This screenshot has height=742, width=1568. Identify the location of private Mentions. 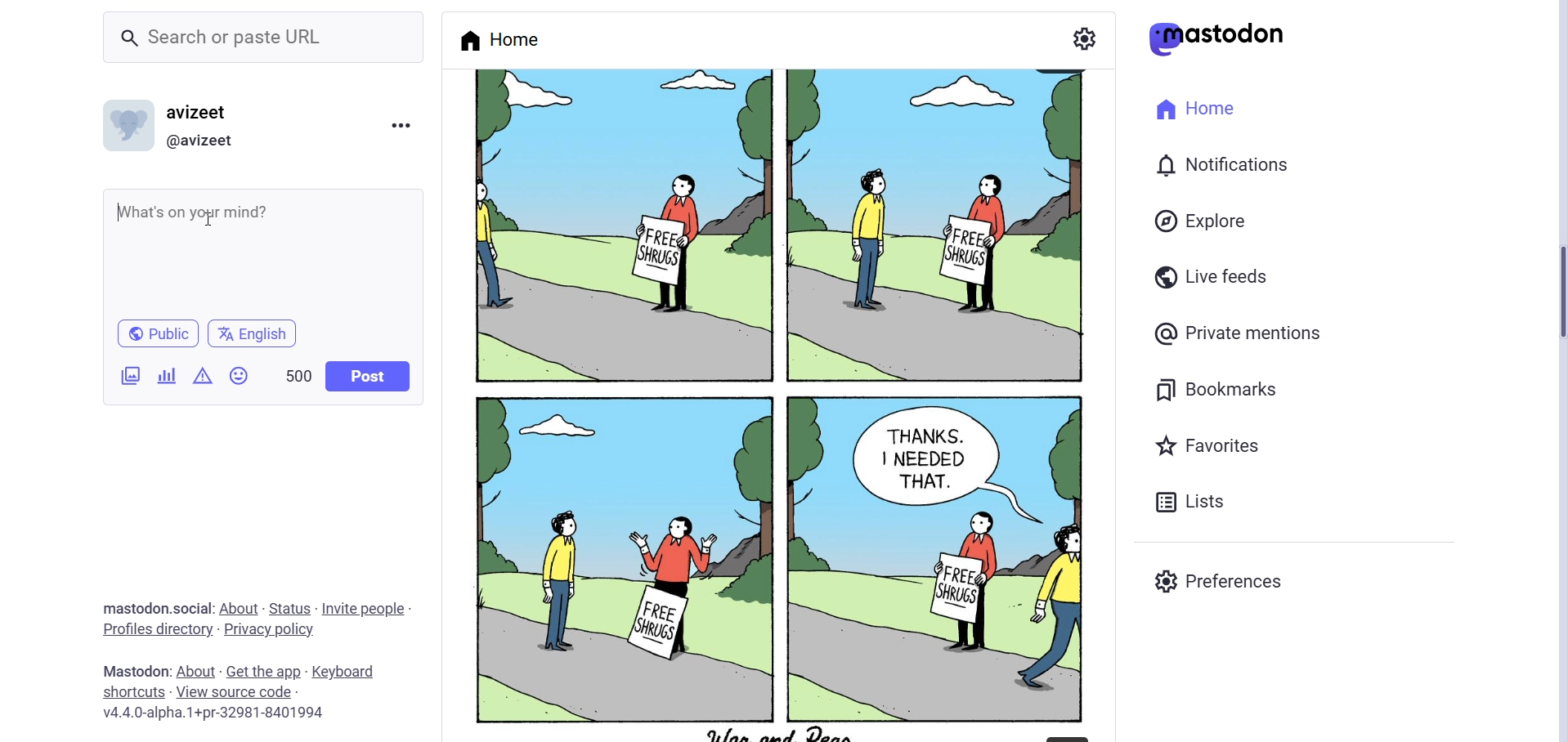
(1238, 335).